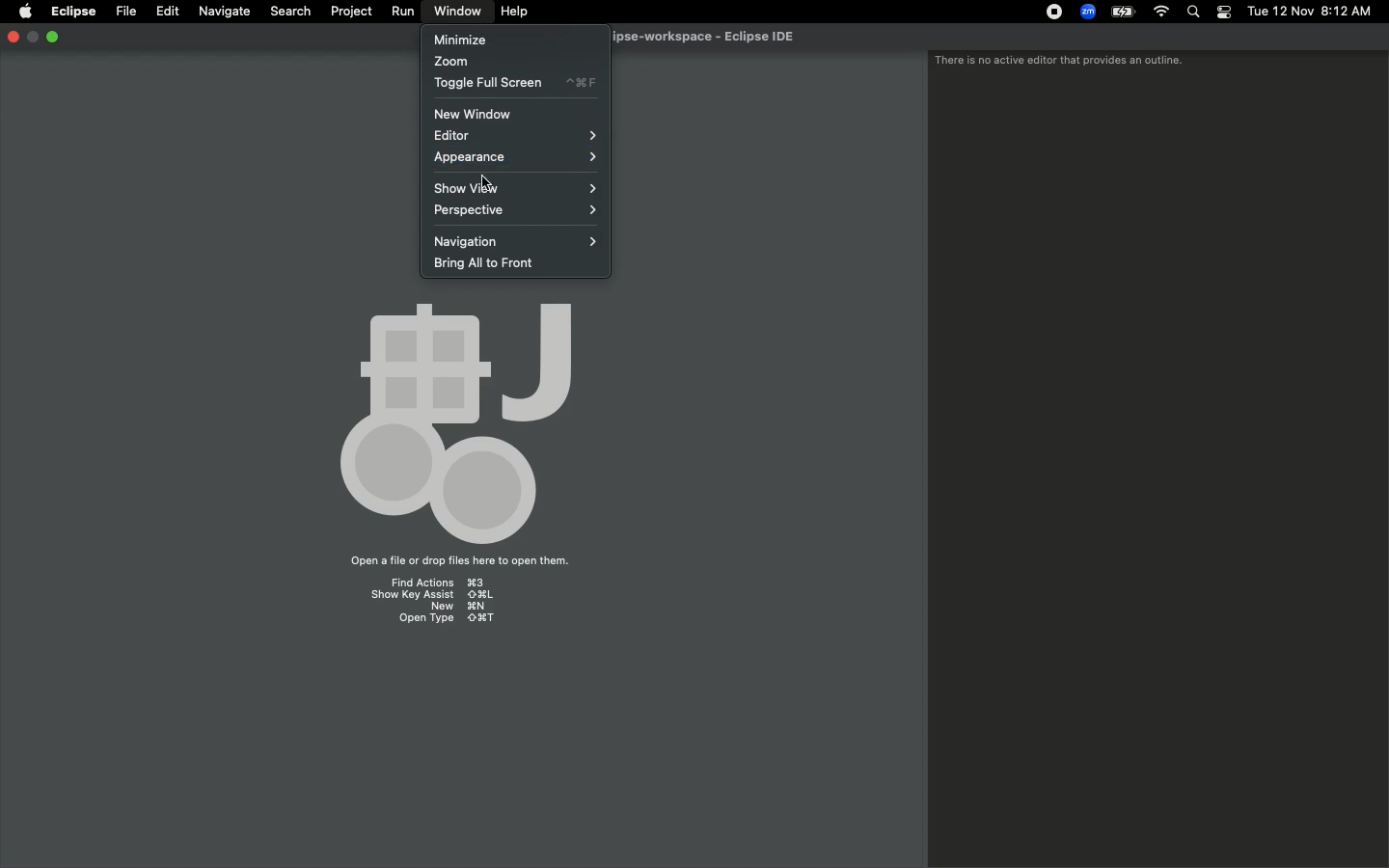  Describe the element at coordinates (1309, 11) in the screenshot. I see `Date/time` at that location.